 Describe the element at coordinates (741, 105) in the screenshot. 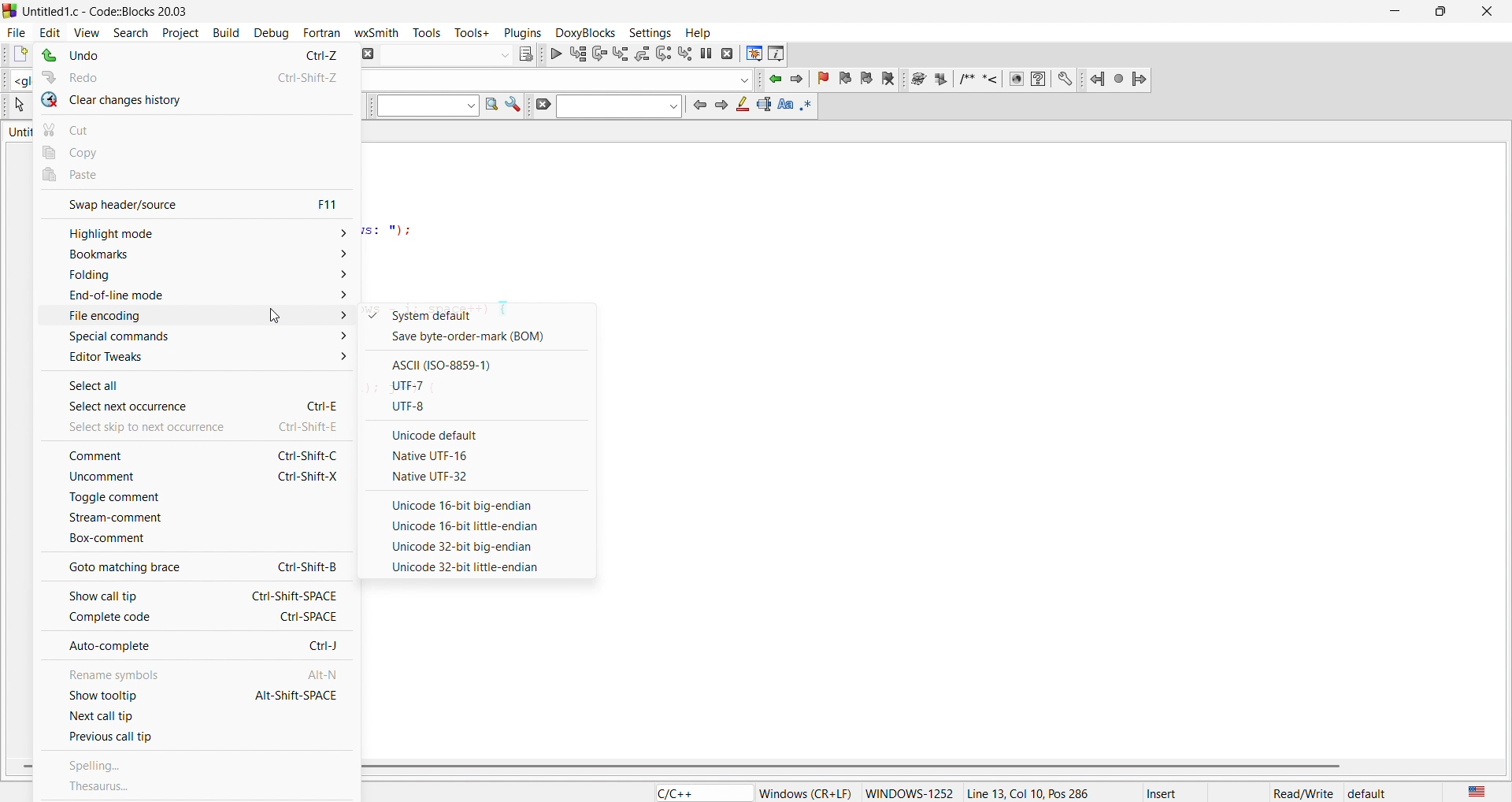

I see `highlight` at that location.